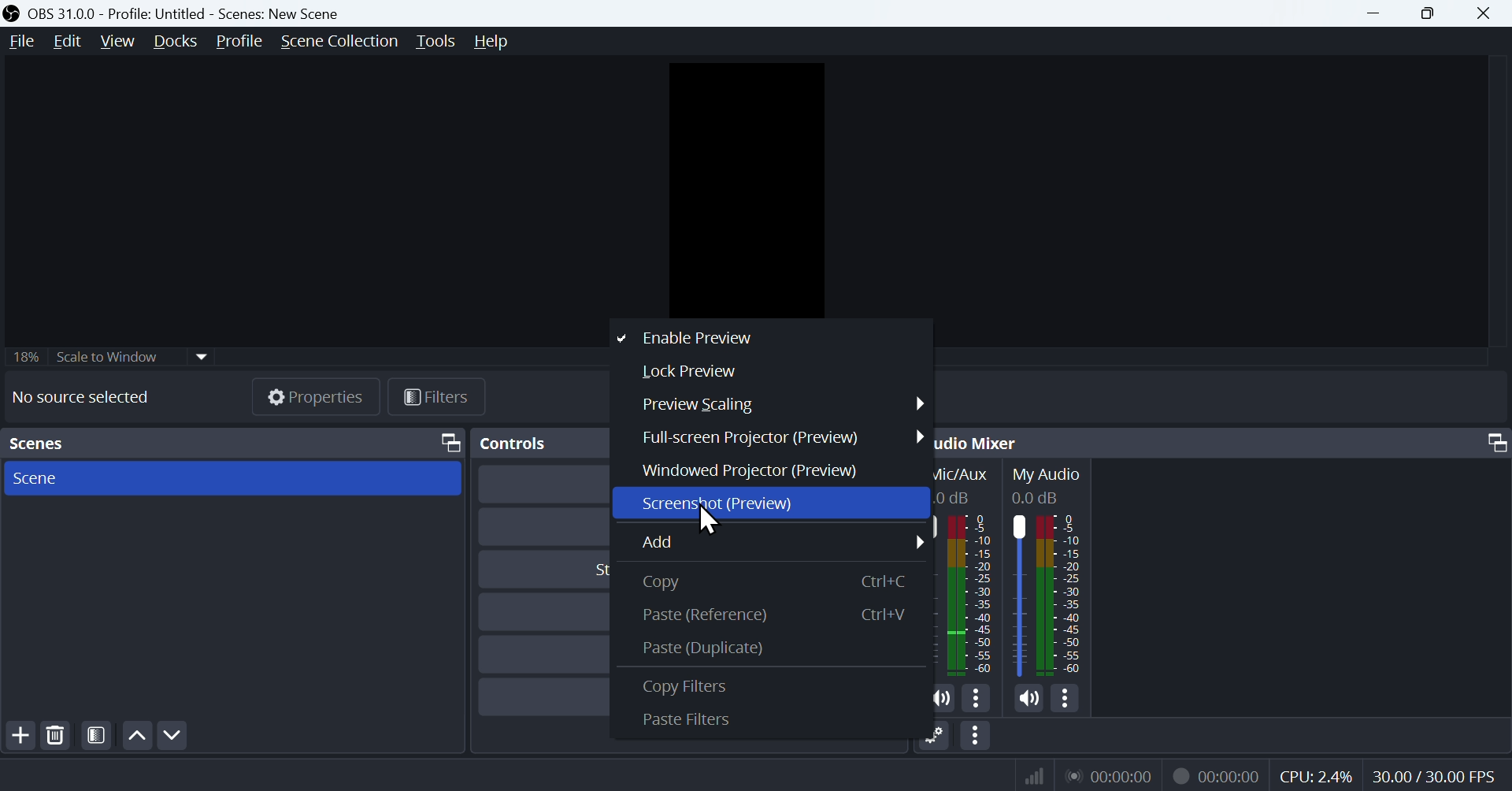 The width and height of the screenshot is (1512, 791). I want to click on Scenes, so click(58, 443).